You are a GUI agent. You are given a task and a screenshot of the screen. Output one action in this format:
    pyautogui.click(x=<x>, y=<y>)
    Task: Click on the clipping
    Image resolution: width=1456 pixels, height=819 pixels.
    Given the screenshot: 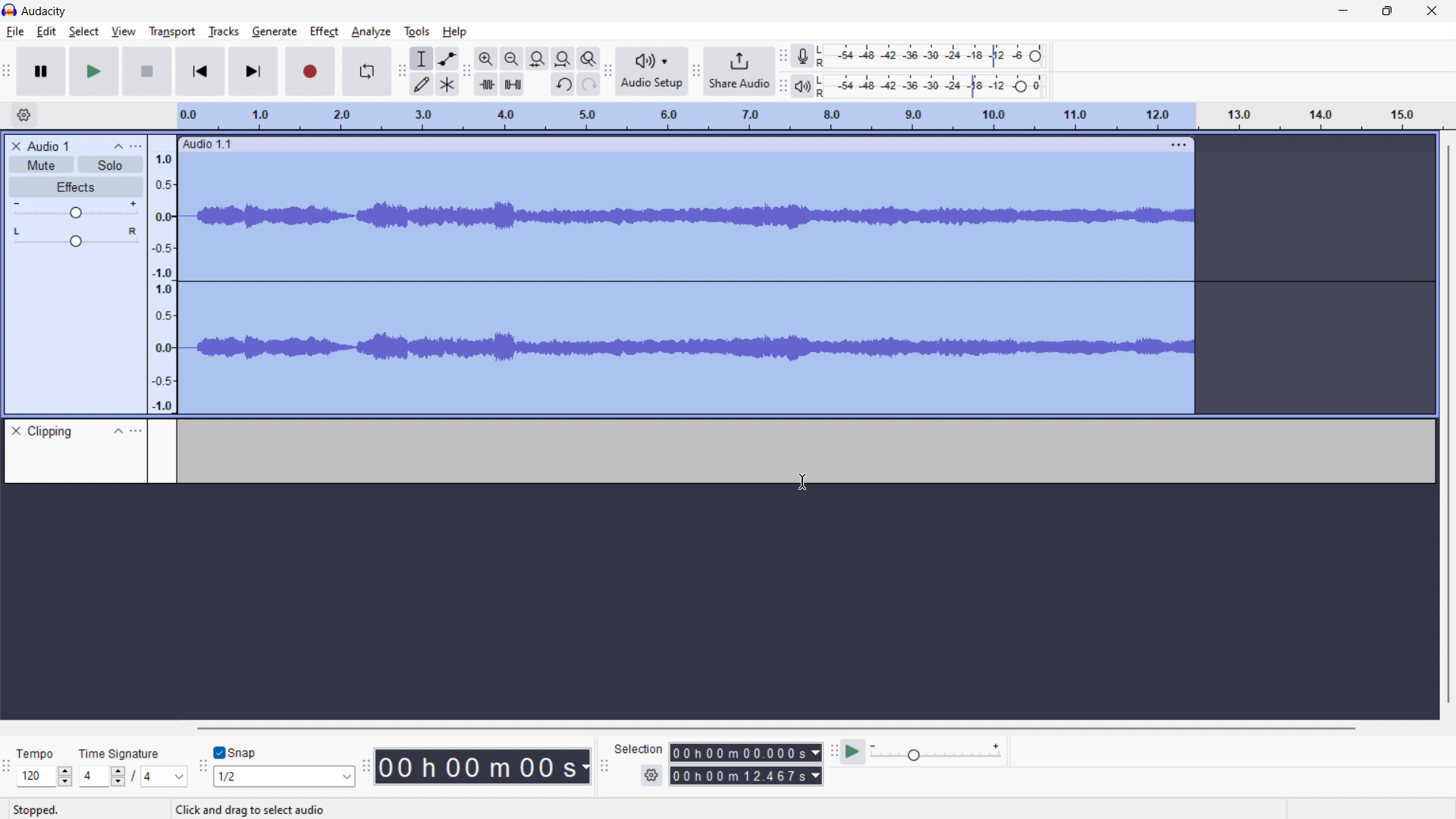 What is the action you would take?
    pyautogui.click(x=51, y=431)
    